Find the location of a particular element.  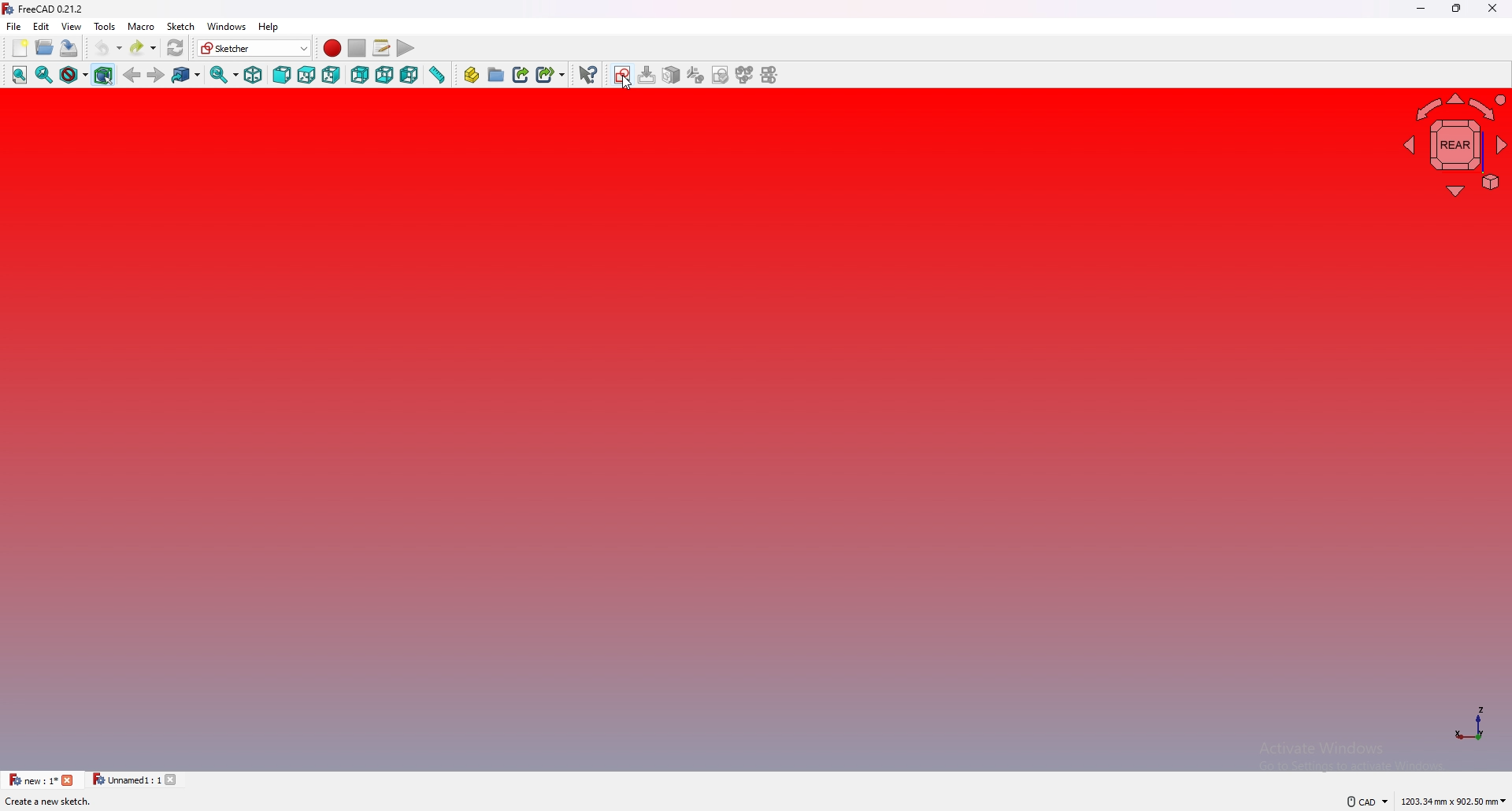

axis is located at coordinates (1475, 724).